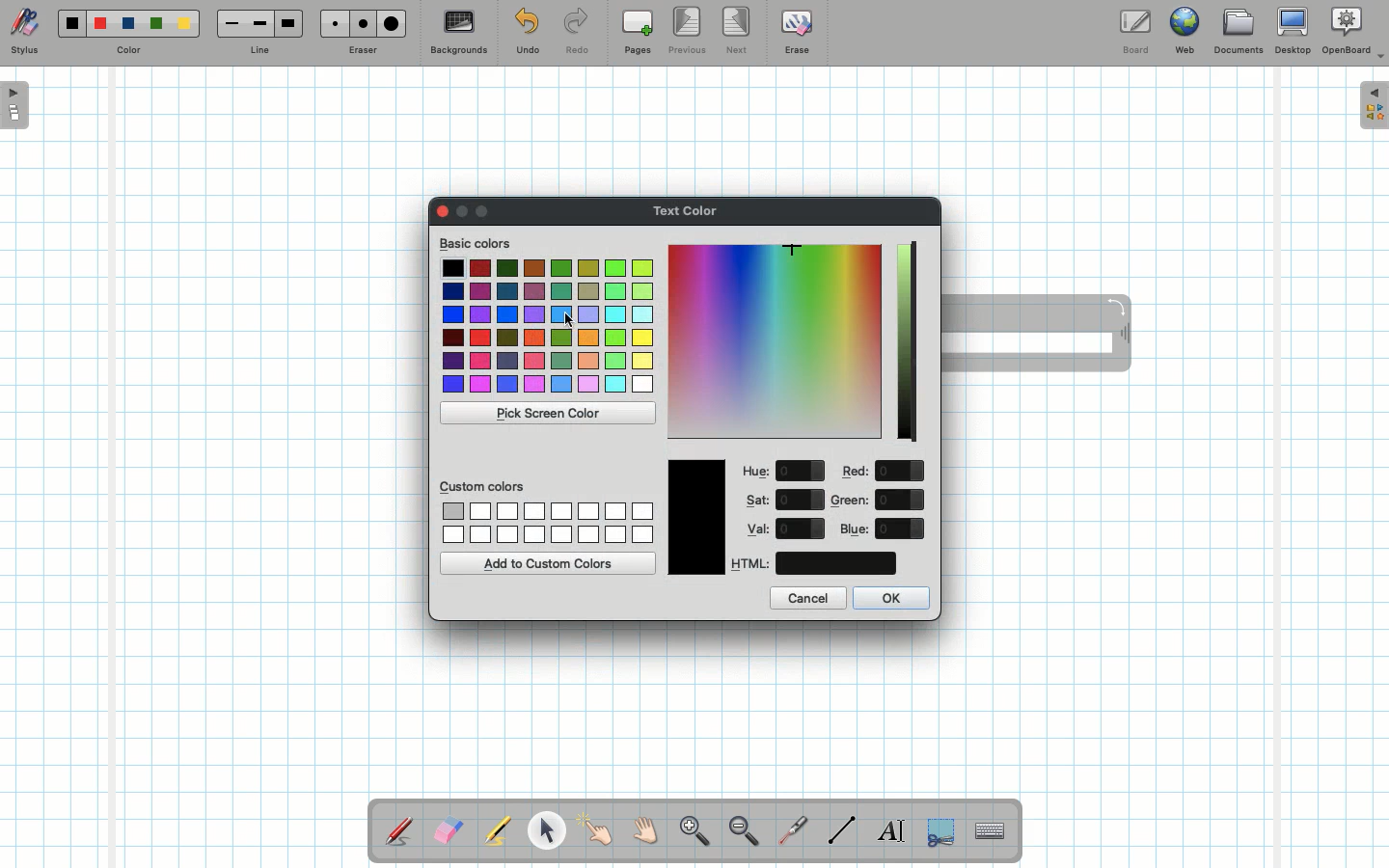 Image resolution: width=1389 pixels, height=868 pixels. I want to click on Darkness, so click(912, 343).